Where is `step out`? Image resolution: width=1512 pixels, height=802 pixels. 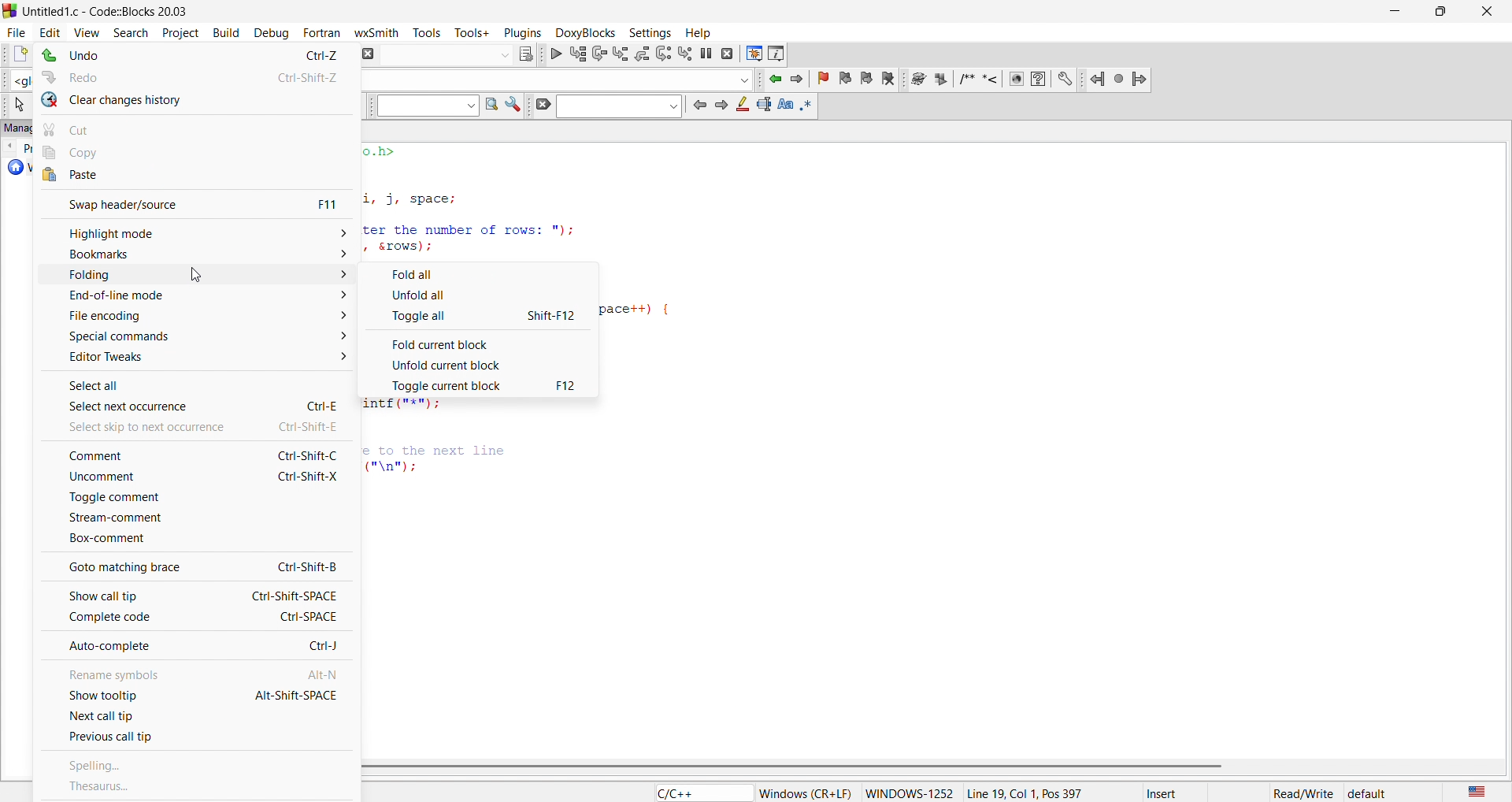 step out is located at coordinates (641, 53).